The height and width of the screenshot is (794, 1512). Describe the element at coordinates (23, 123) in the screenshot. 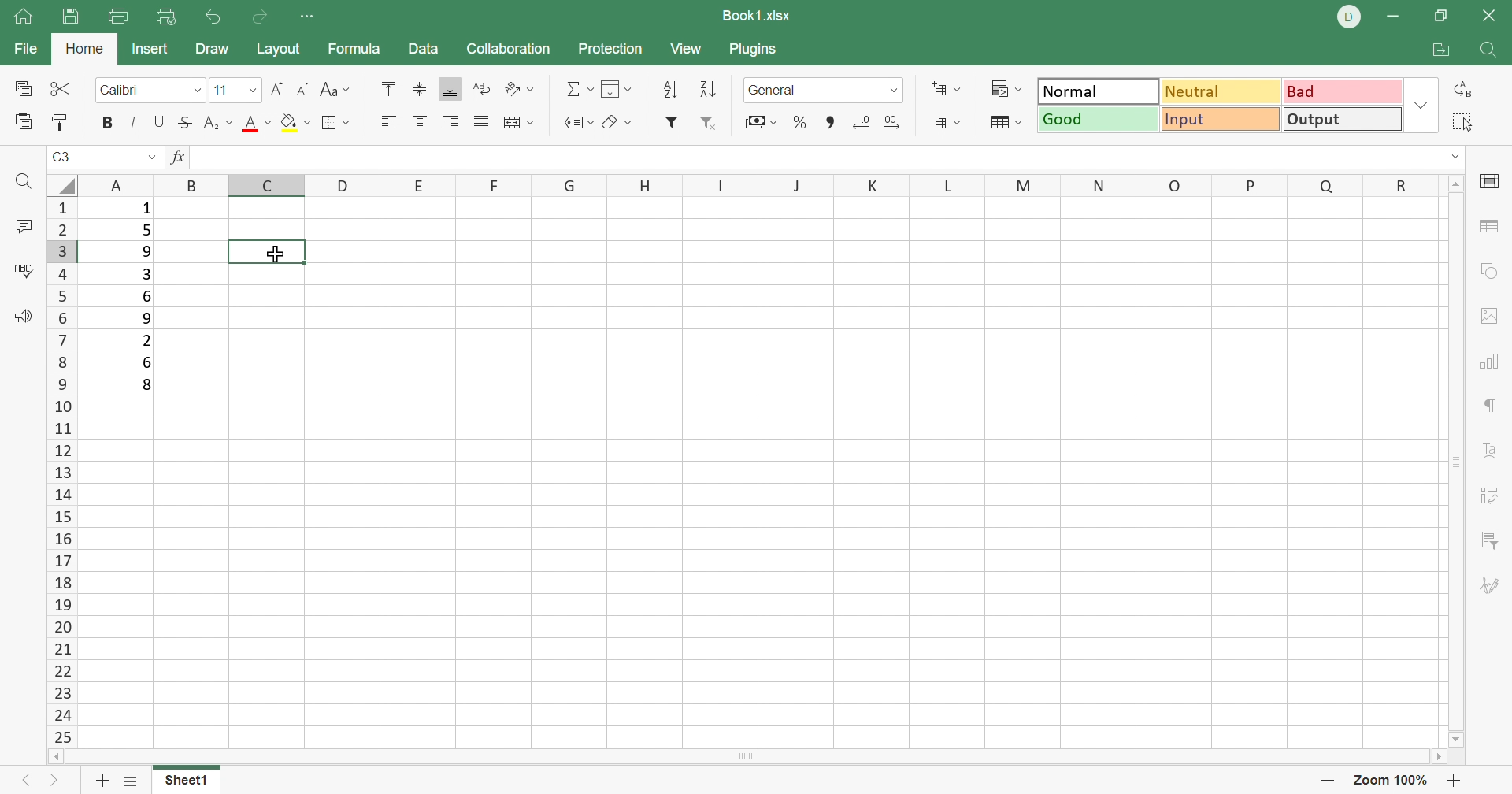

I see `Paste` at that location.